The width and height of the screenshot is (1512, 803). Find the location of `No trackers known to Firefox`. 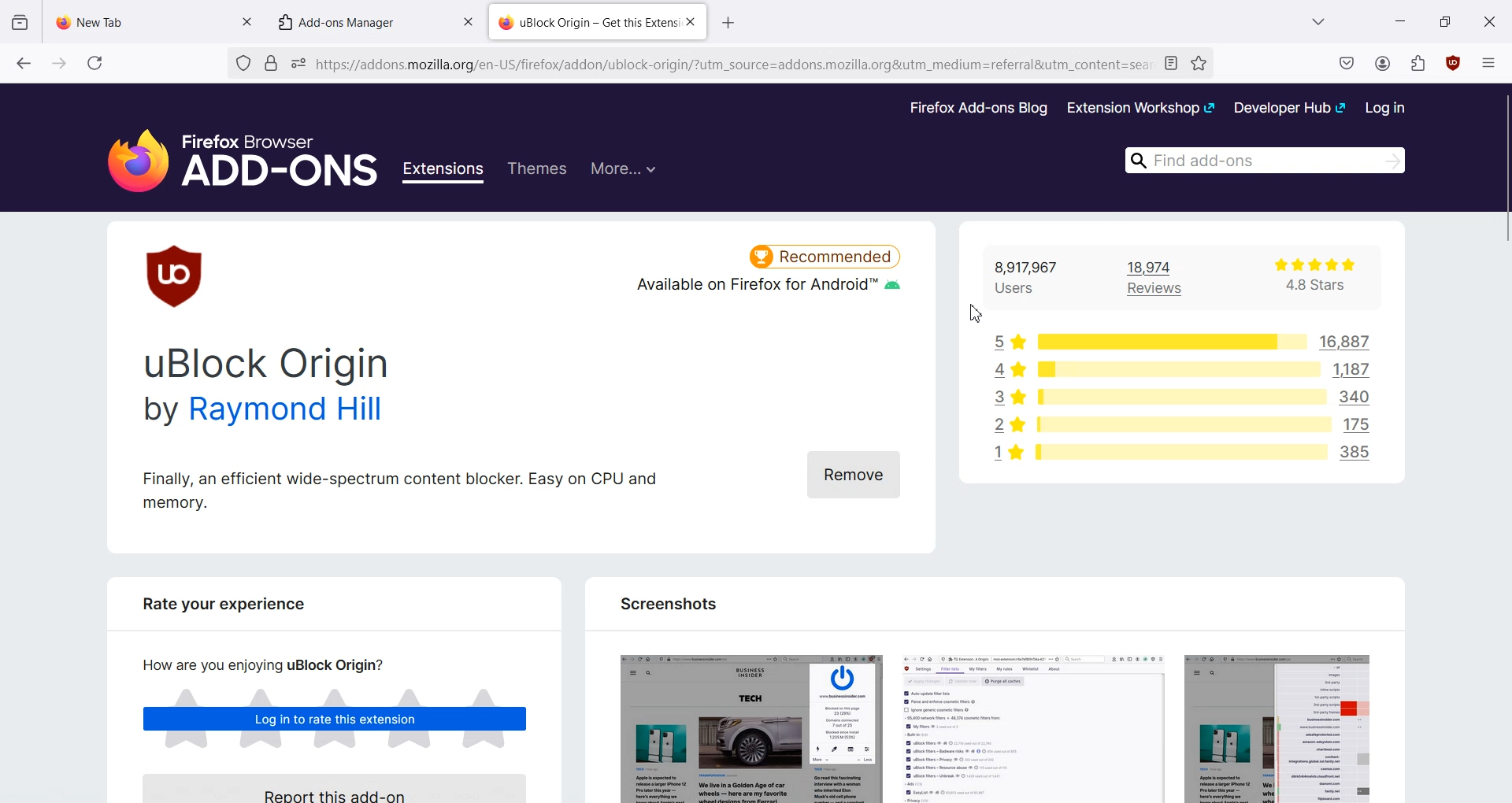

No trackers known to Firefox is located at coordinates (241, 64).